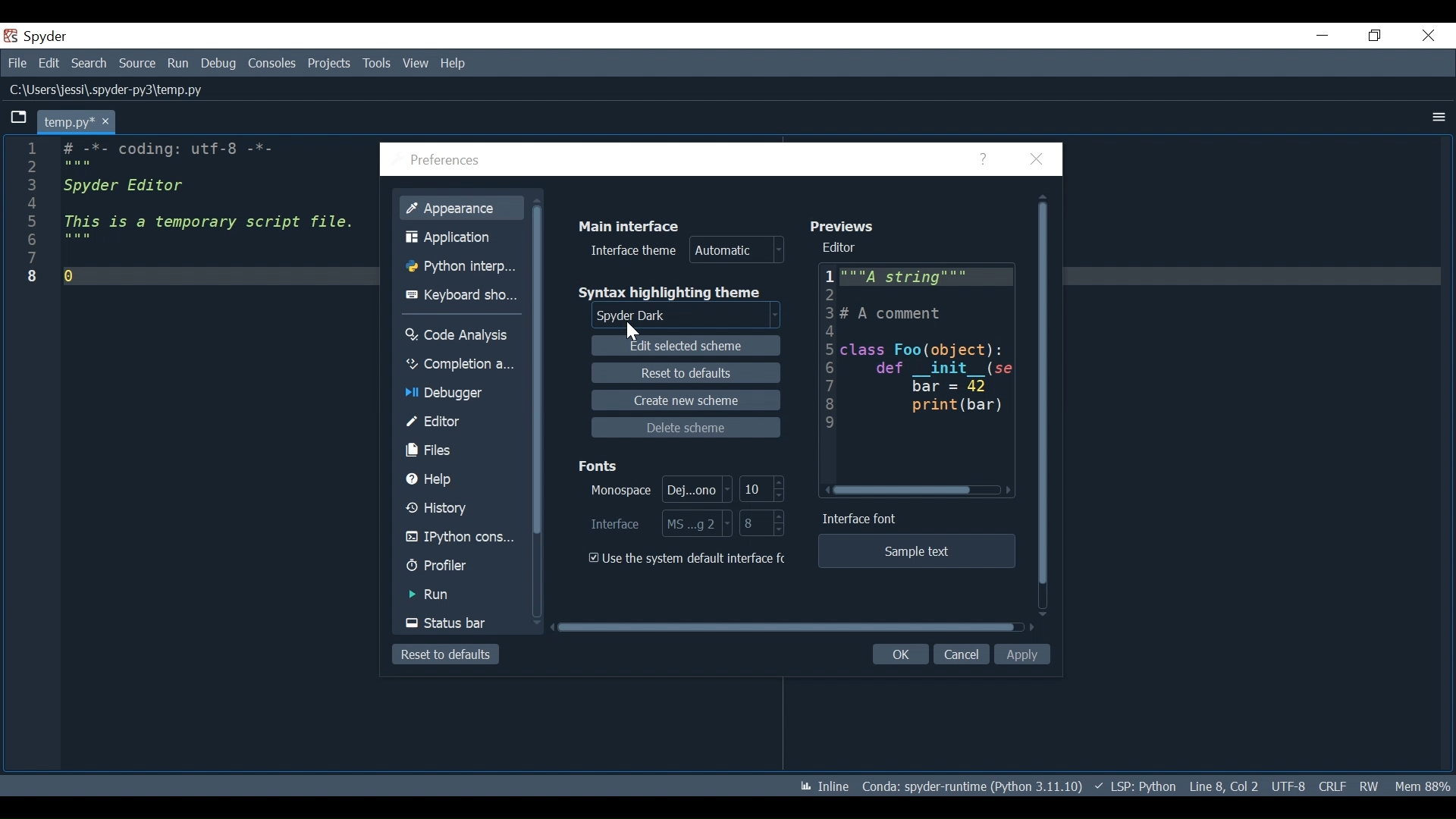 This screenshot has height=819, width=1456. Describe the element at coordinates (1372, 785) in the screenshot. I see `File Permissions` at that location.